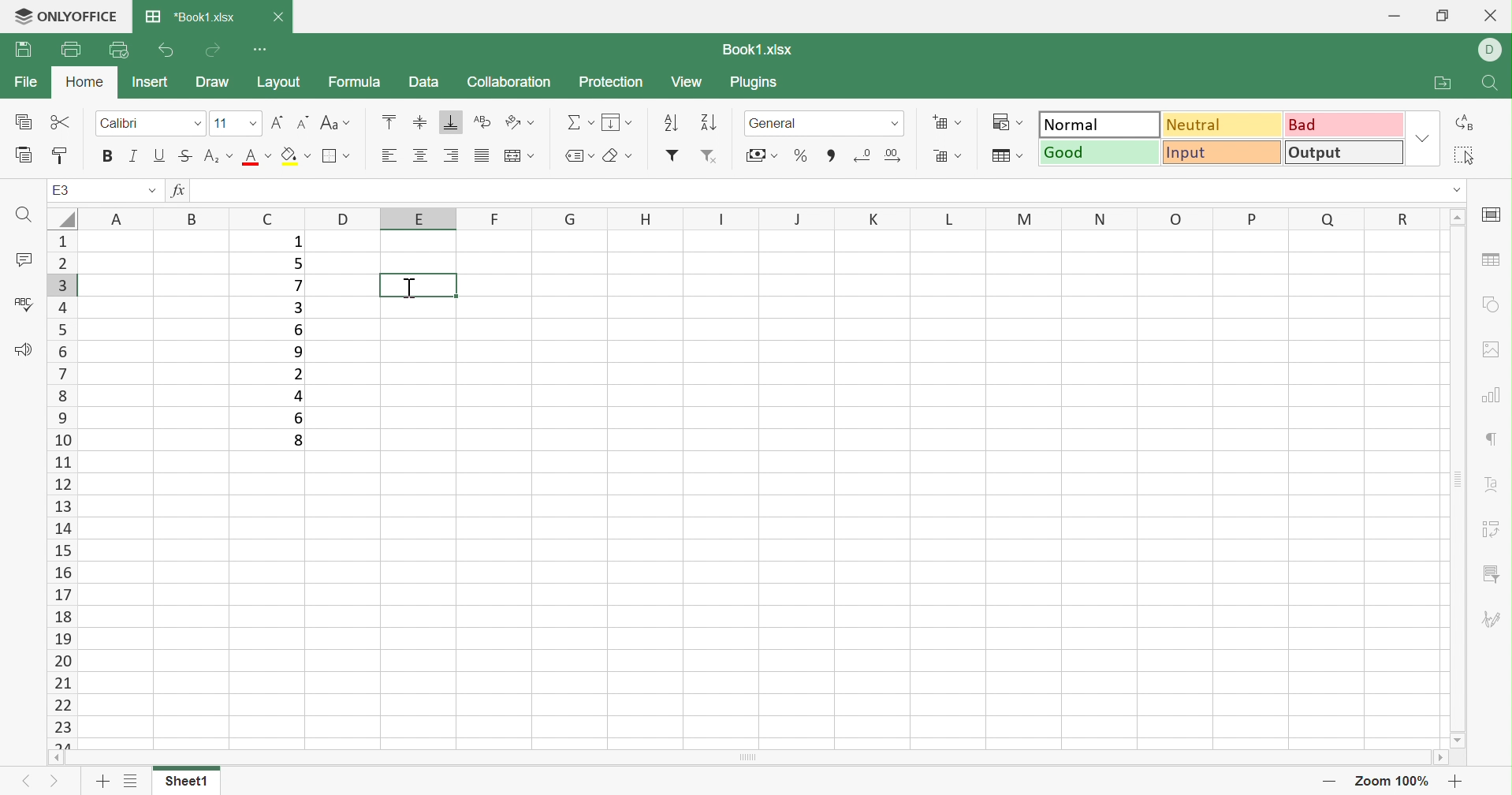 This screenshot has width=1512, height=795. I want to click on Justified, so click(481, 155).